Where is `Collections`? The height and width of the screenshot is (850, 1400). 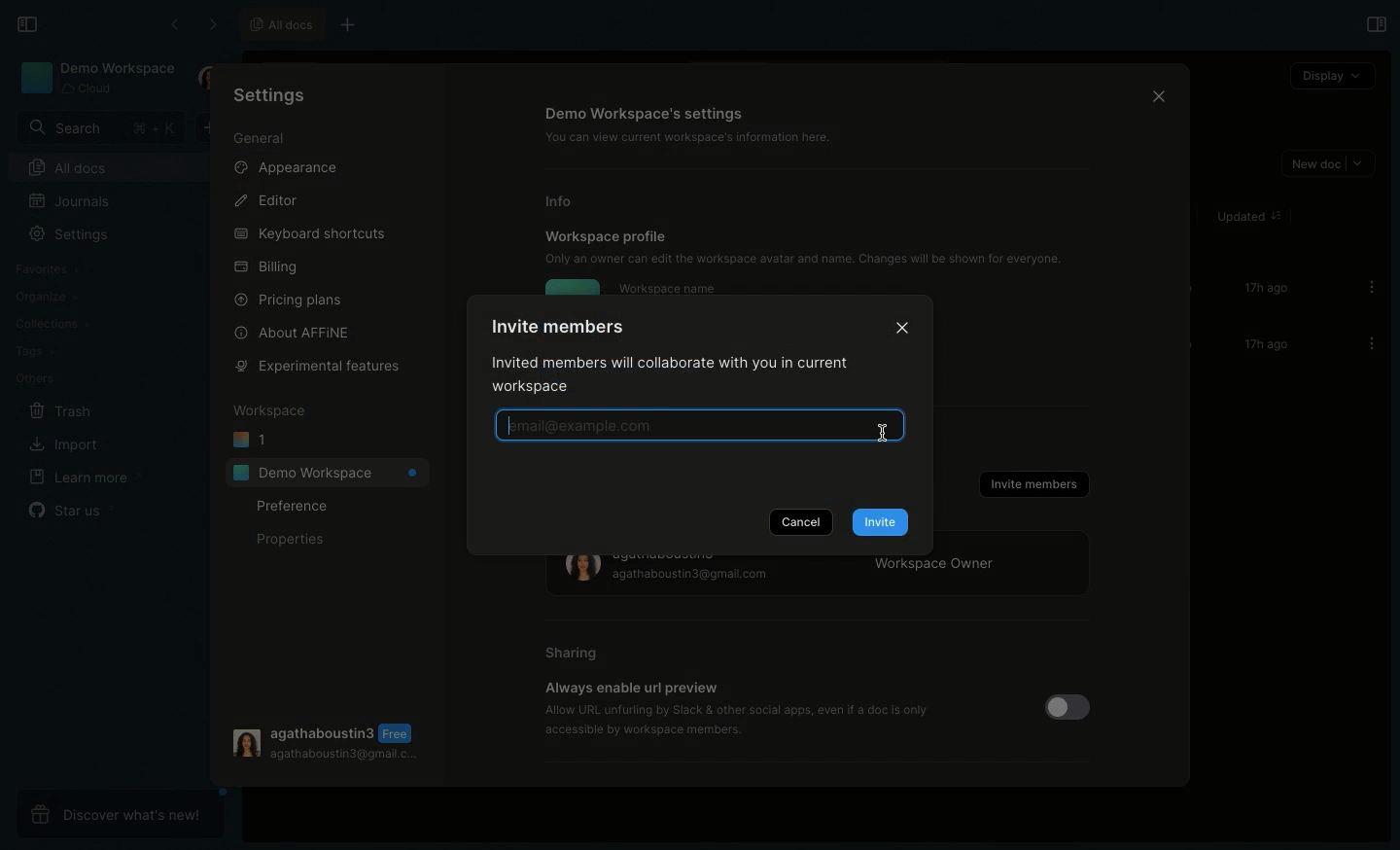
Collections is located at coordinates (52, 322).